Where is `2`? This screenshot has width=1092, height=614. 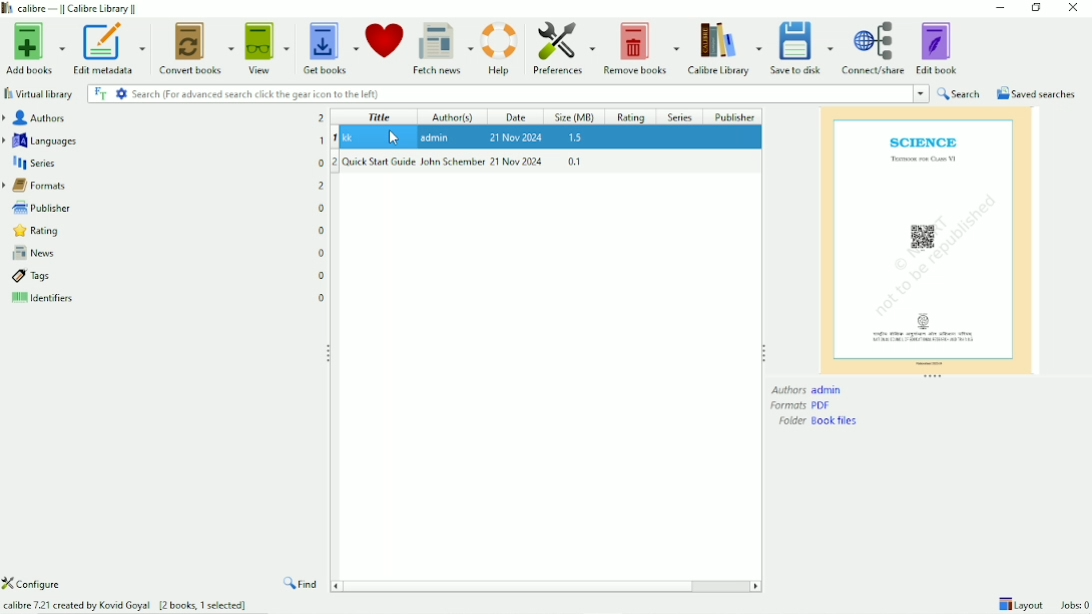
2 is located at coordinates (335, 162).